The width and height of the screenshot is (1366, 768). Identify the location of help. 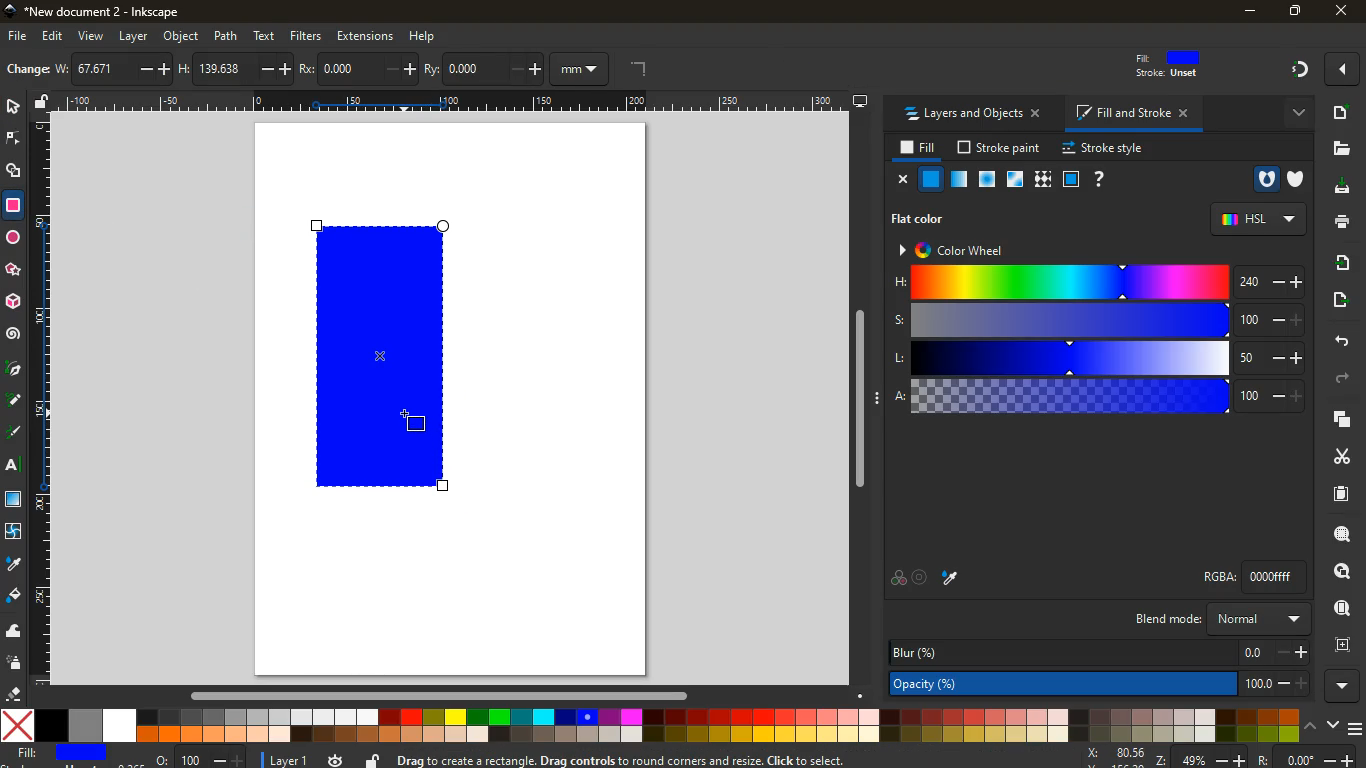
(424, 37).